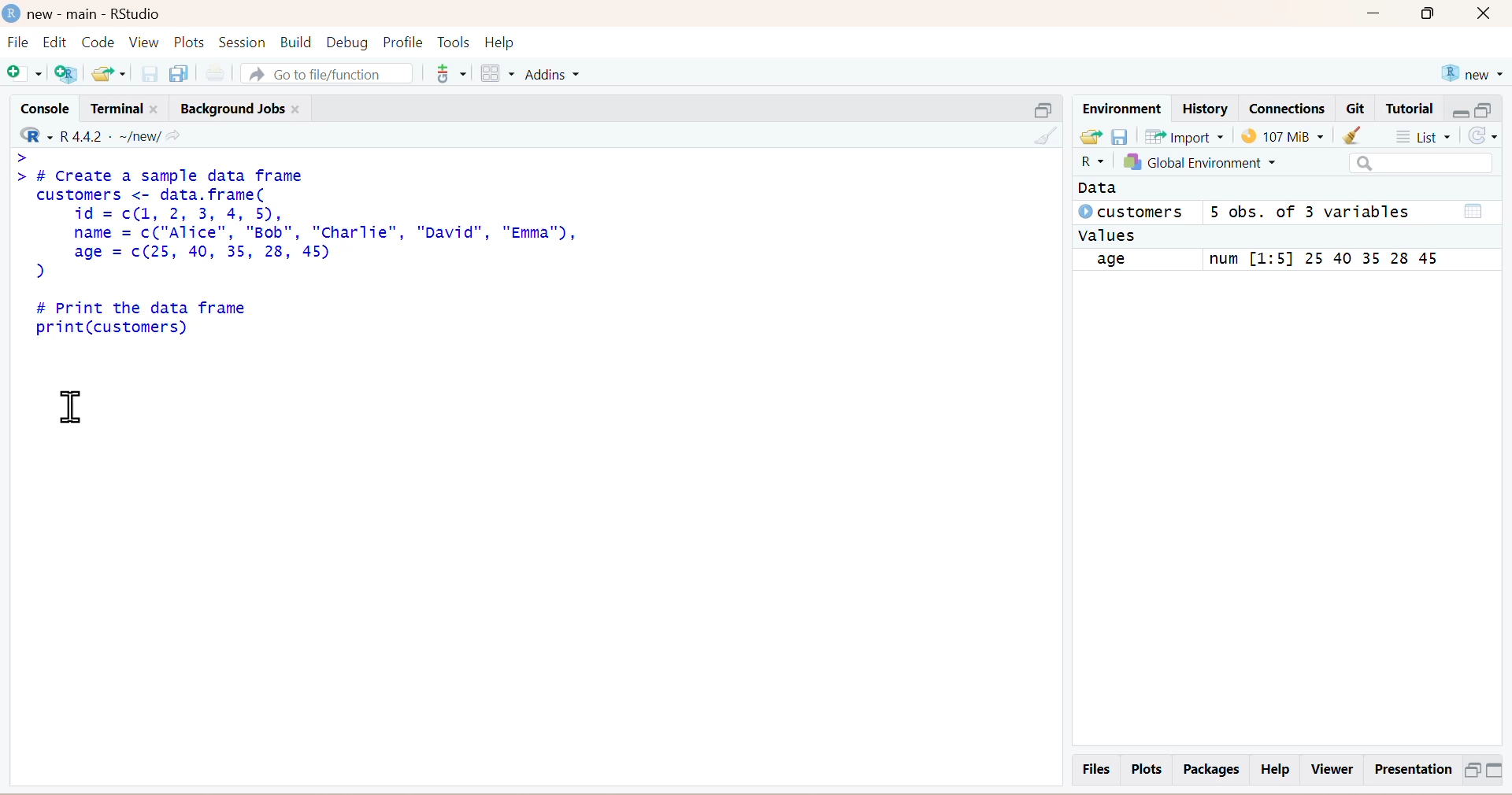 Image resolution: width=1512 pixels, height=795 pixels. I want to click on new - main - RStudio, so click(85, 11).